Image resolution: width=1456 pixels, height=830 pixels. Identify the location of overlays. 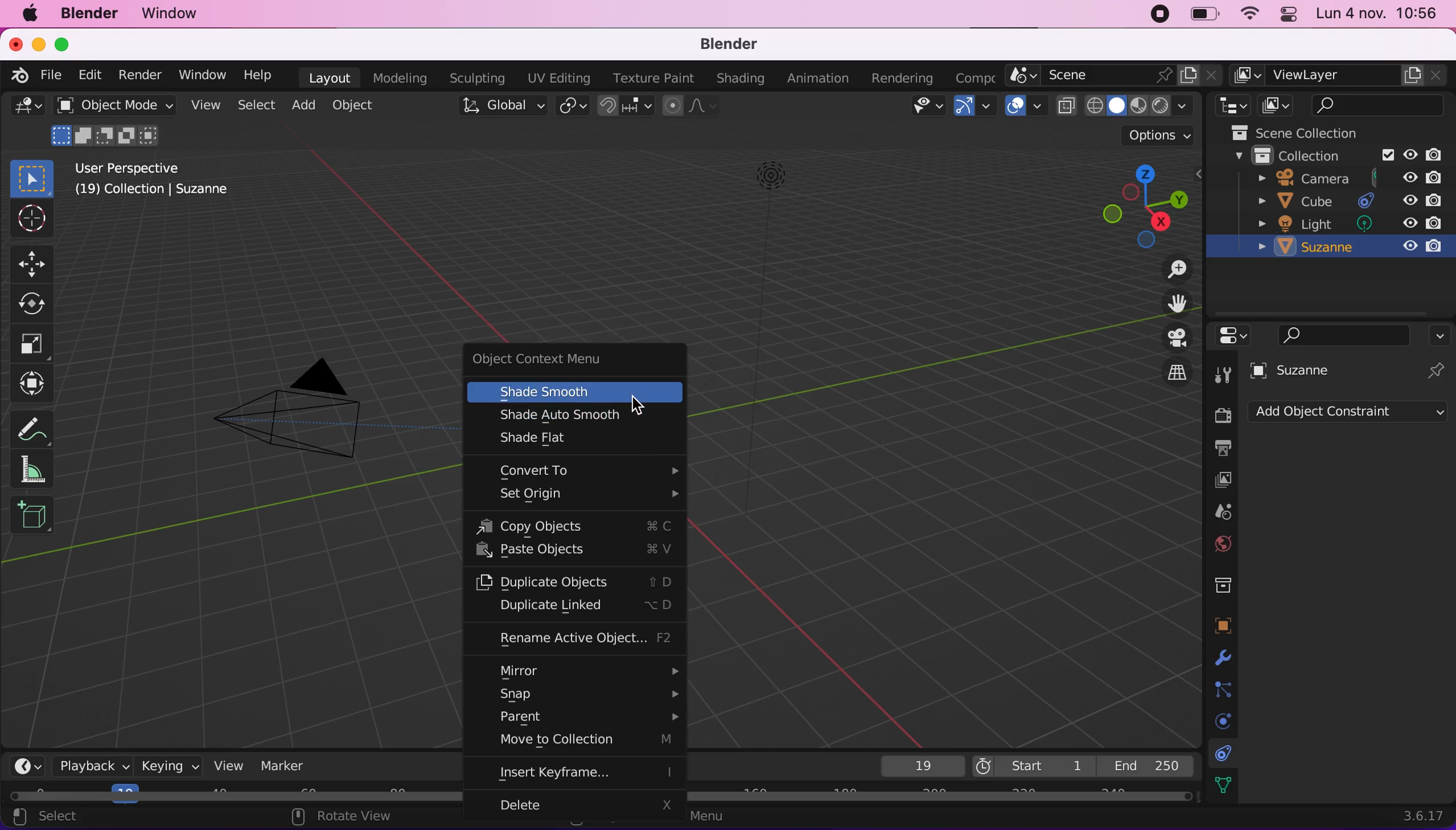
(1039, 108).